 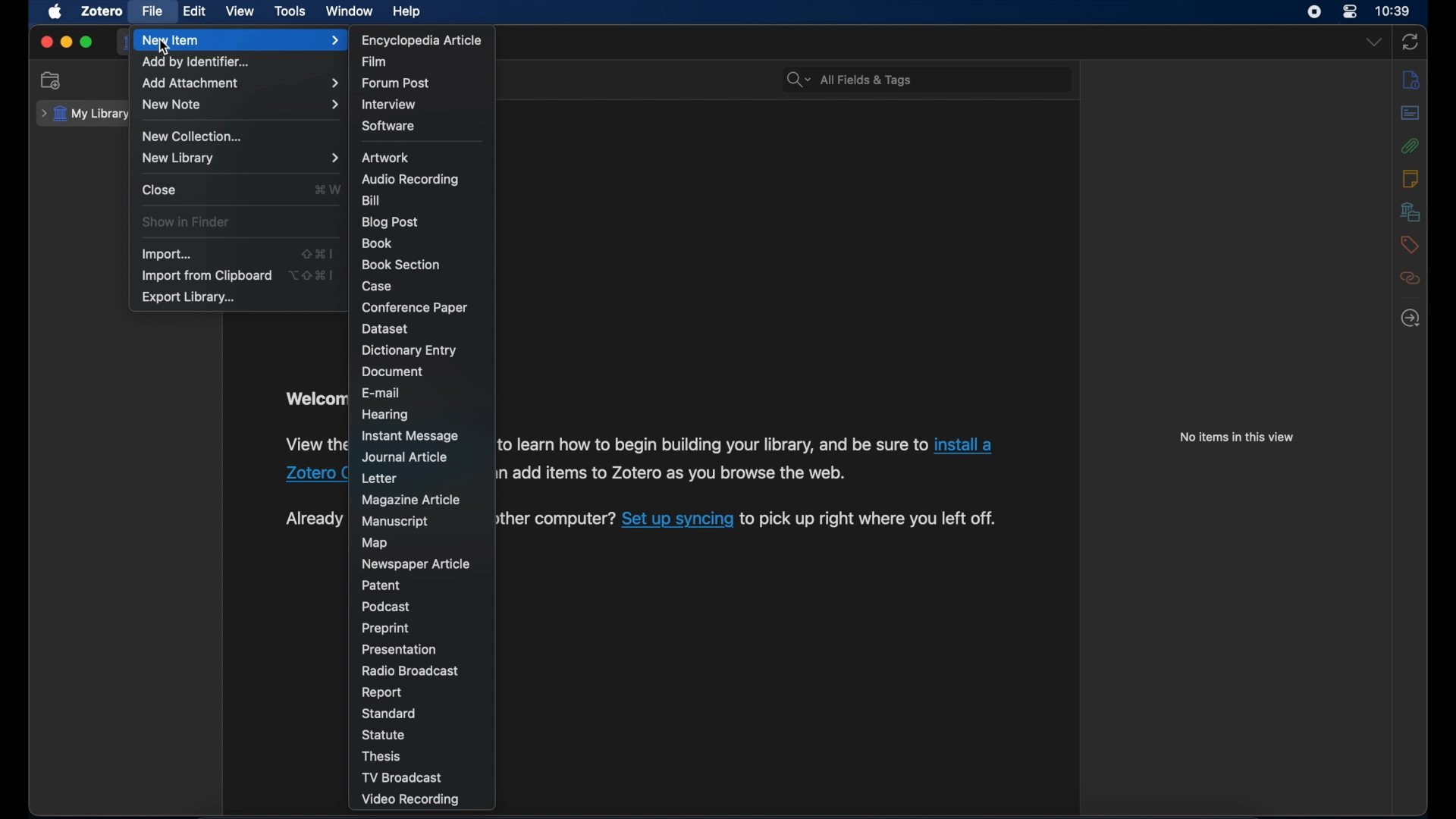 I want to click on add by identifier, so click(x=199, y=62).